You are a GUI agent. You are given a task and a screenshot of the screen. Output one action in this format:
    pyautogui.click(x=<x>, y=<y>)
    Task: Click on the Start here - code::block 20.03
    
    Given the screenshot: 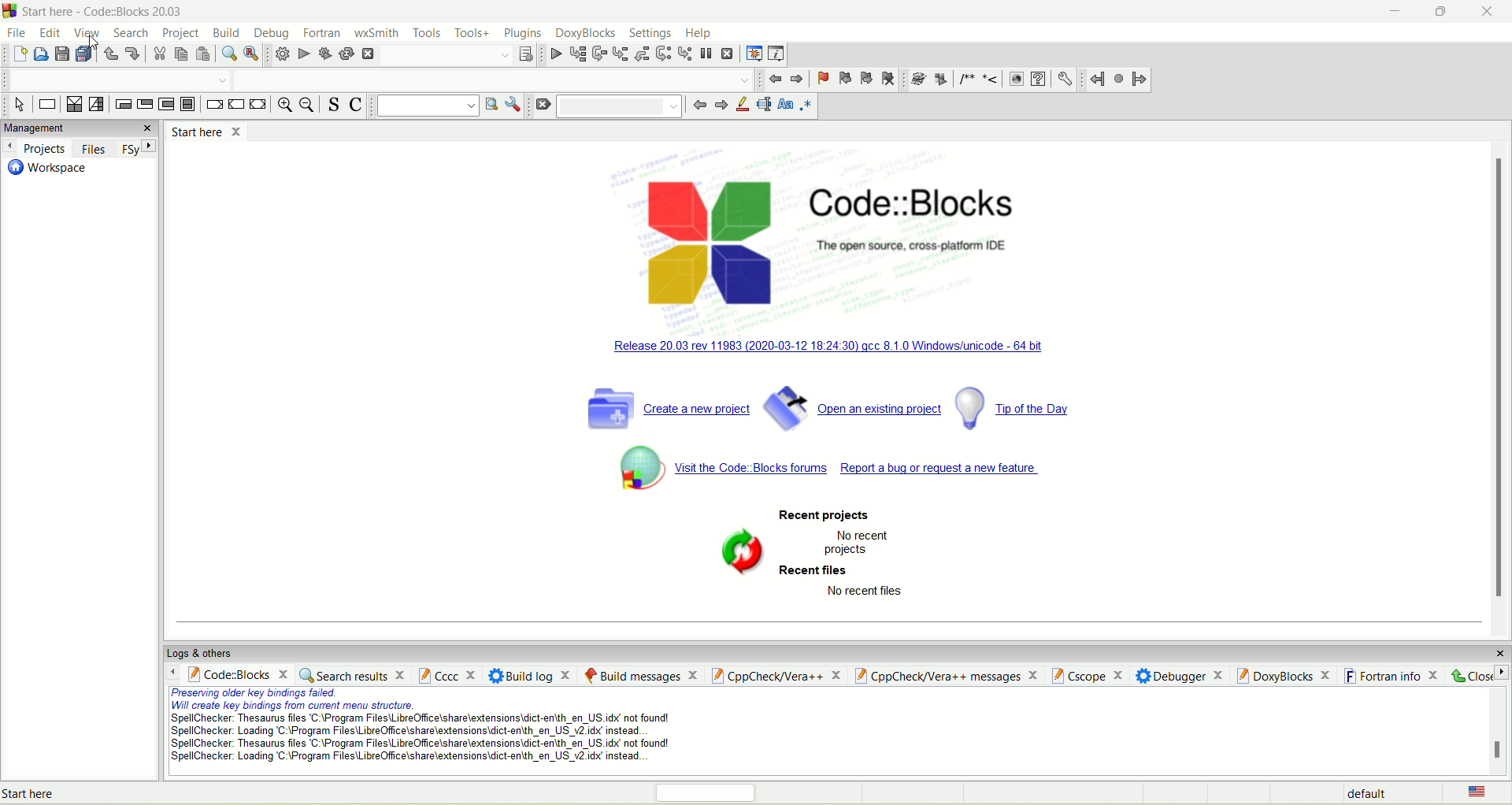 What is the action you would take?
    pyautogui.click(x=106, y=11)
    